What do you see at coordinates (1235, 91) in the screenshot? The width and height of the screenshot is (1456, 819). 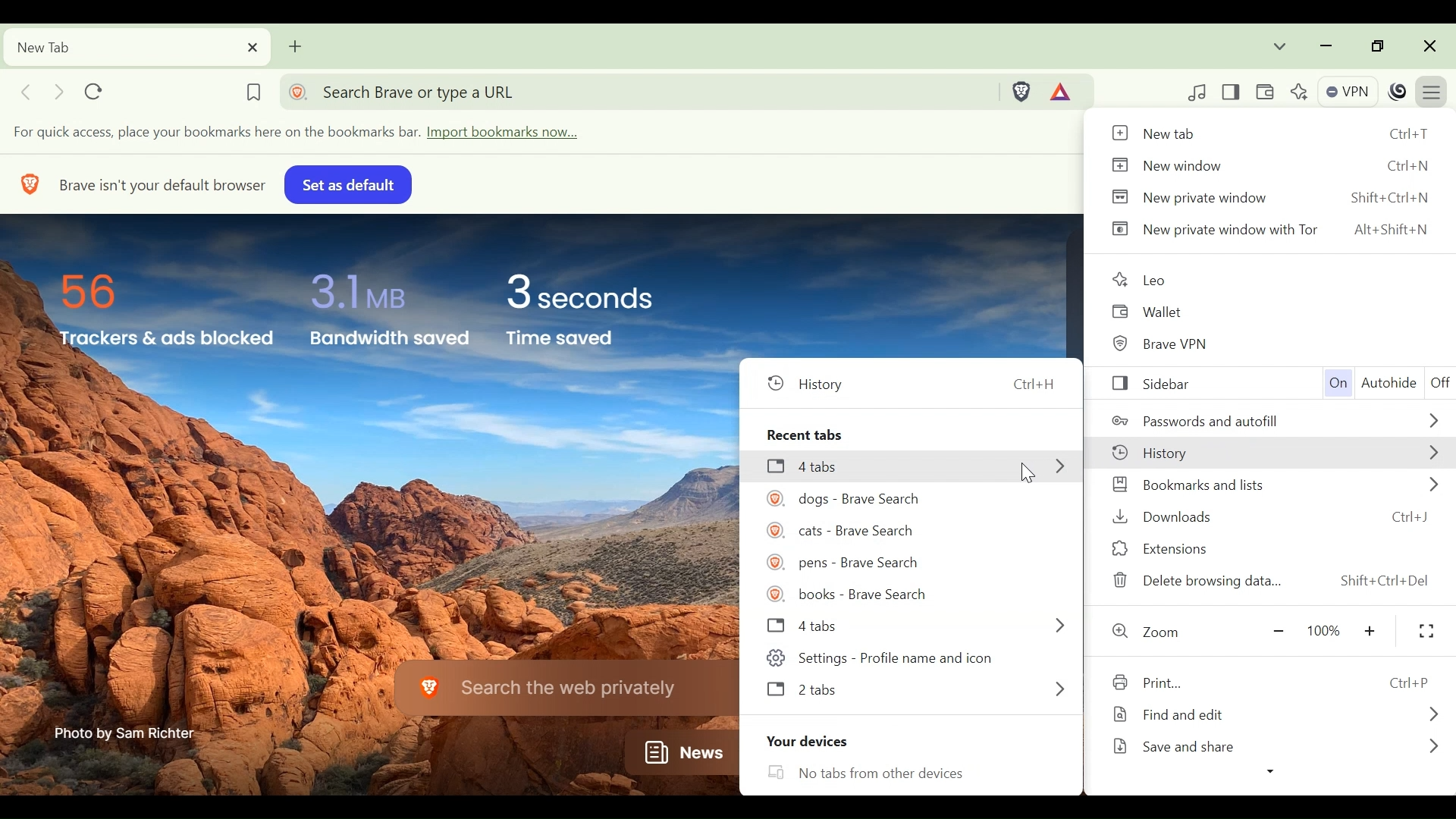 I see `Show/Hide Sidebar` at bounding box center [1235, 91].